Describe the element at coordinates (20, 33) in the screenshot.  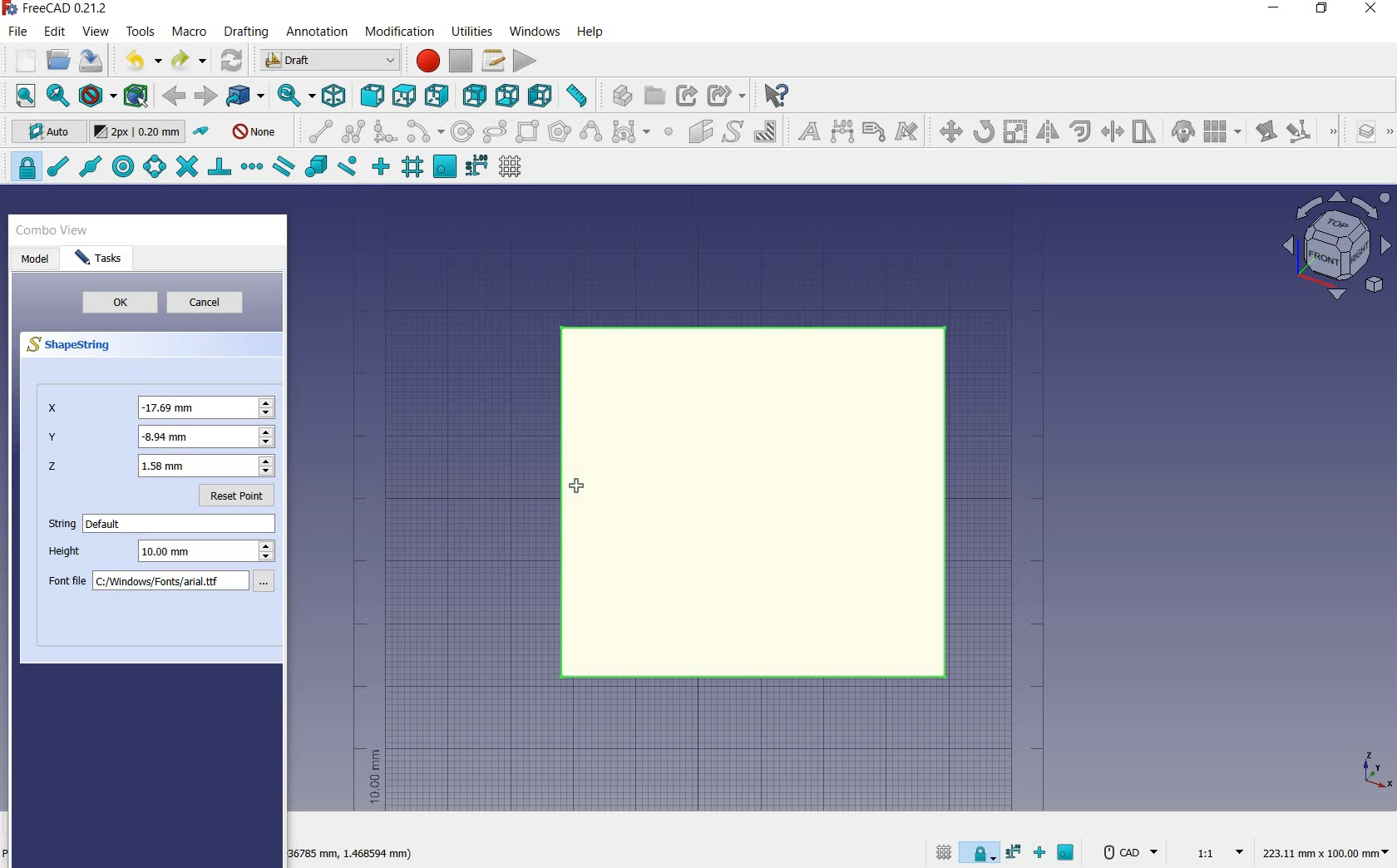
I see `file` at that location.